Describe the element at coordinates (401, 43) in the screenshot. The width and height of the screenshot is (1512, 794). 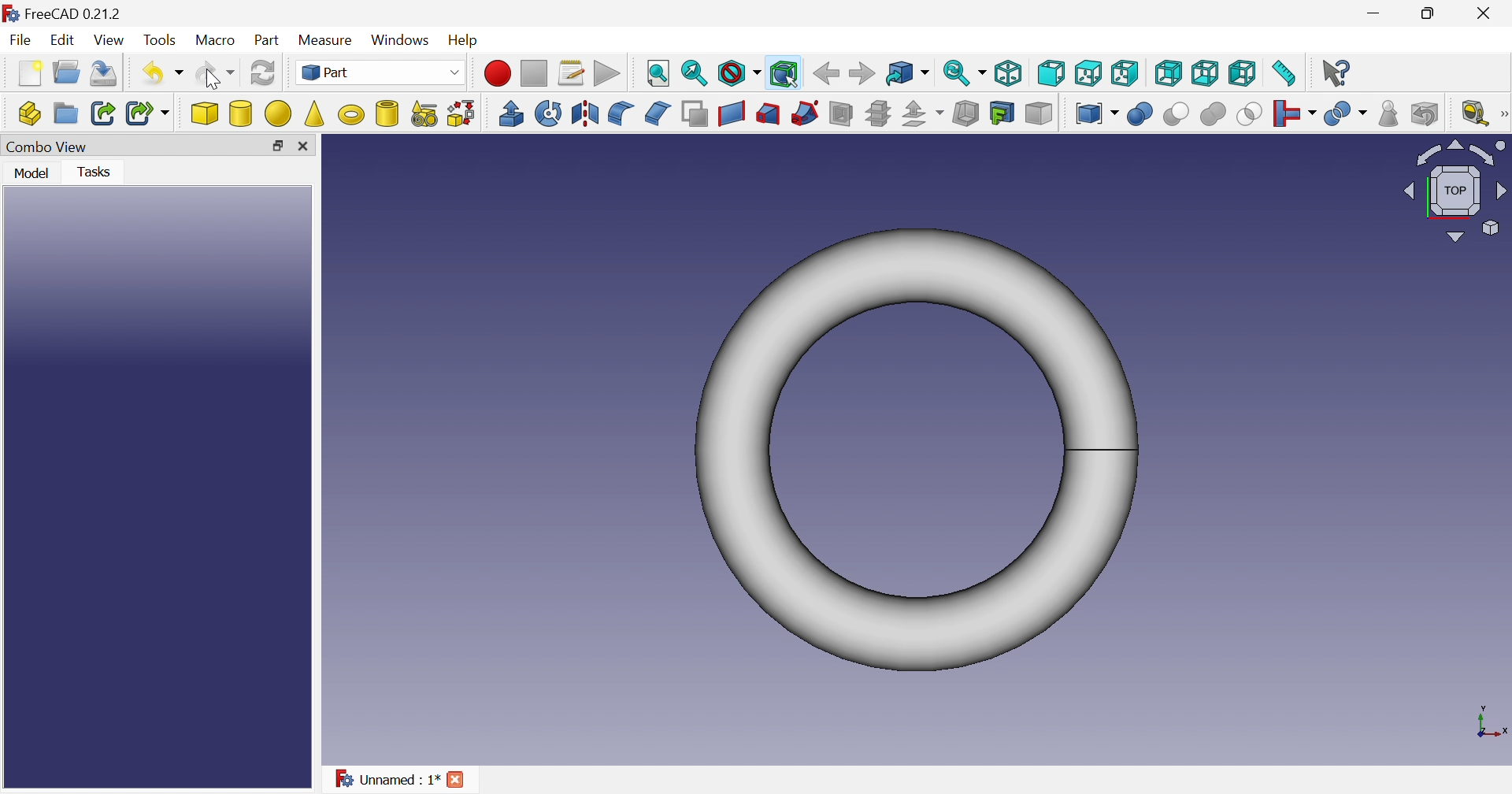
I see `Windows` at that location.